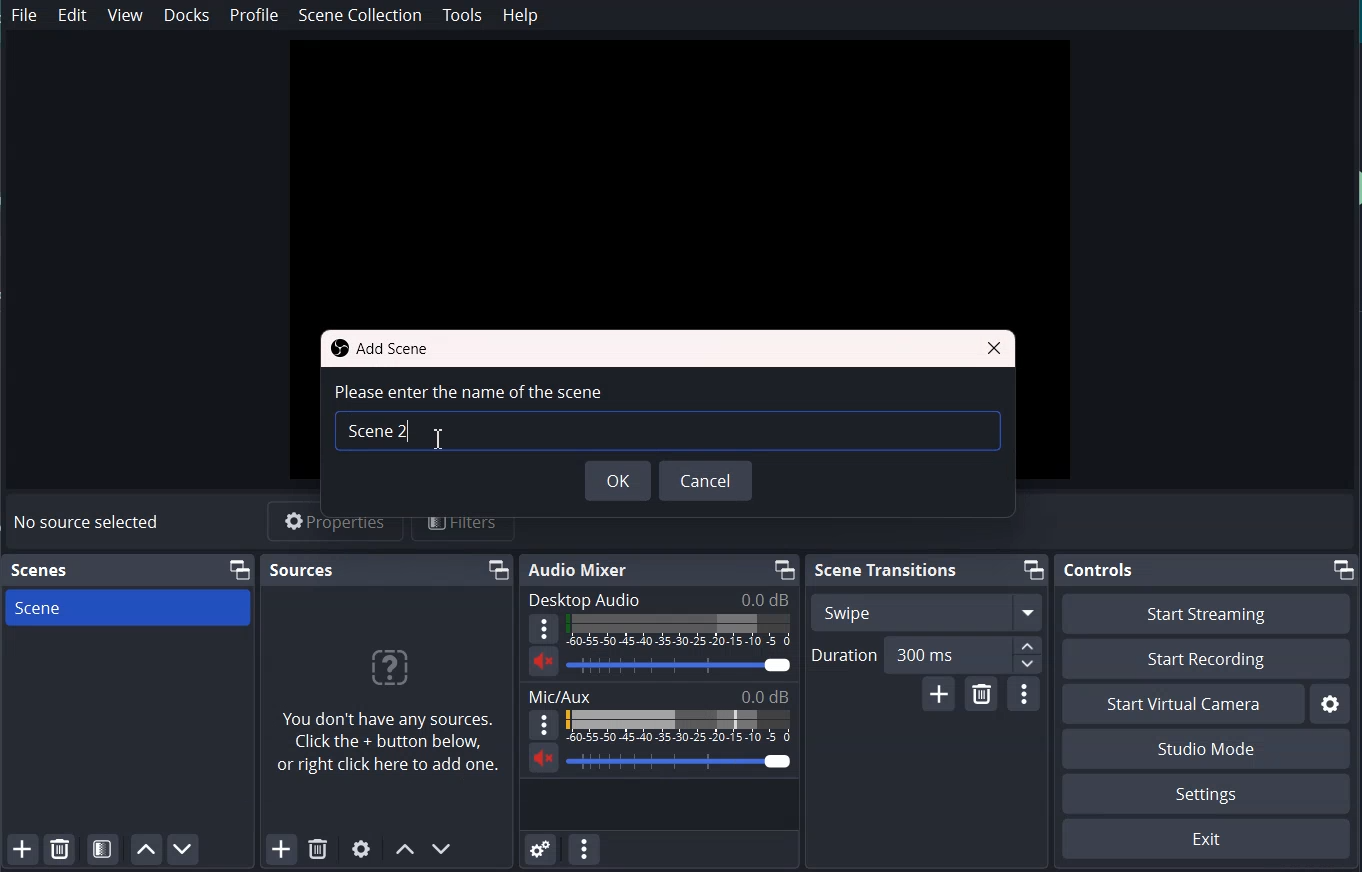 The image size is (1362, 872). Describe the element at coordinates (390, 748) in the screenshot. I see `You don't have any sources.
Click the + button below,
or right click here to add one.` at that location.